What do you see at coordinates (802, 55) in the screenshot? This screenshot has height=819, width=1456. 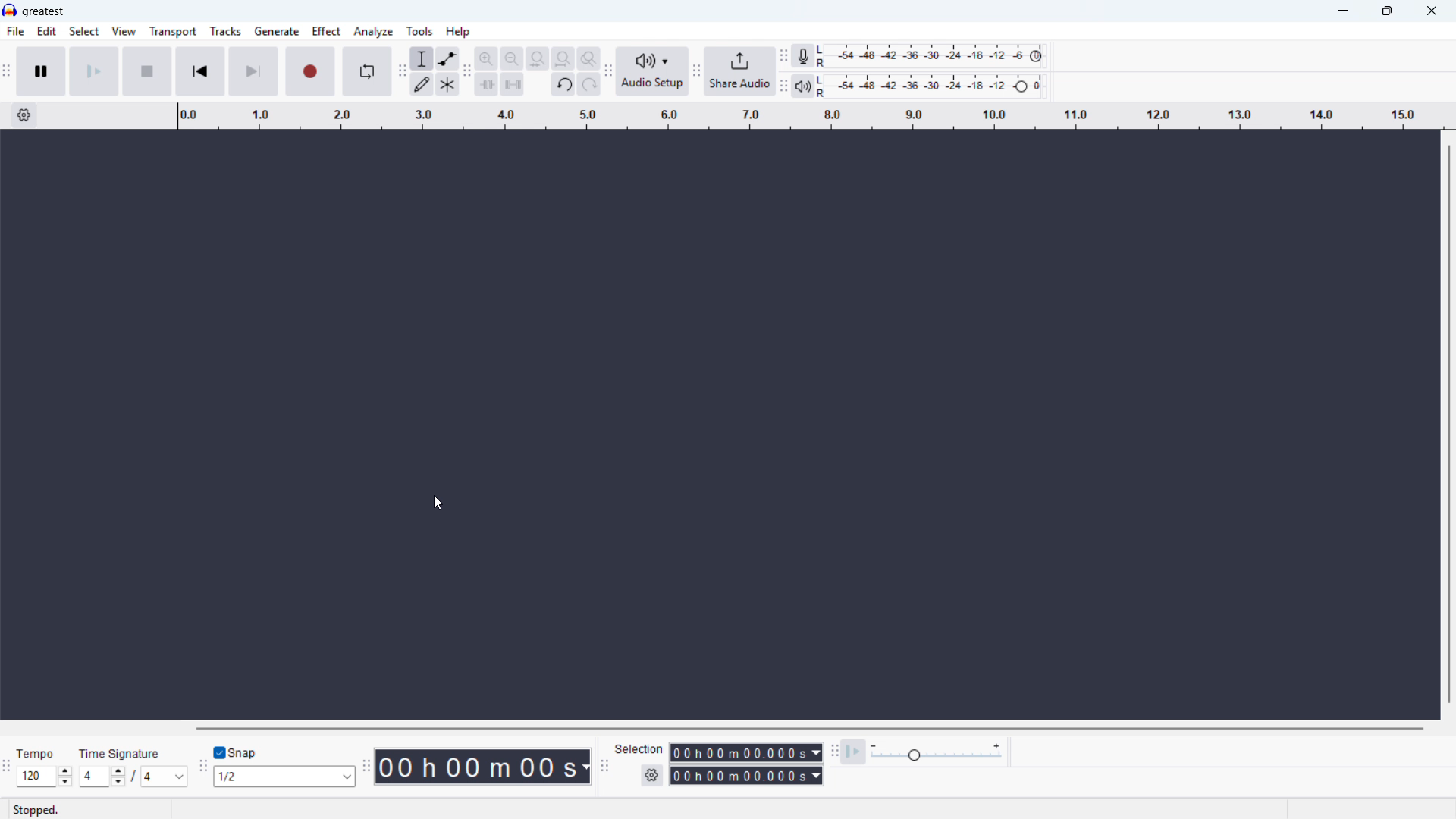 I see `Recording metre ` at bounding box center [802, 55].